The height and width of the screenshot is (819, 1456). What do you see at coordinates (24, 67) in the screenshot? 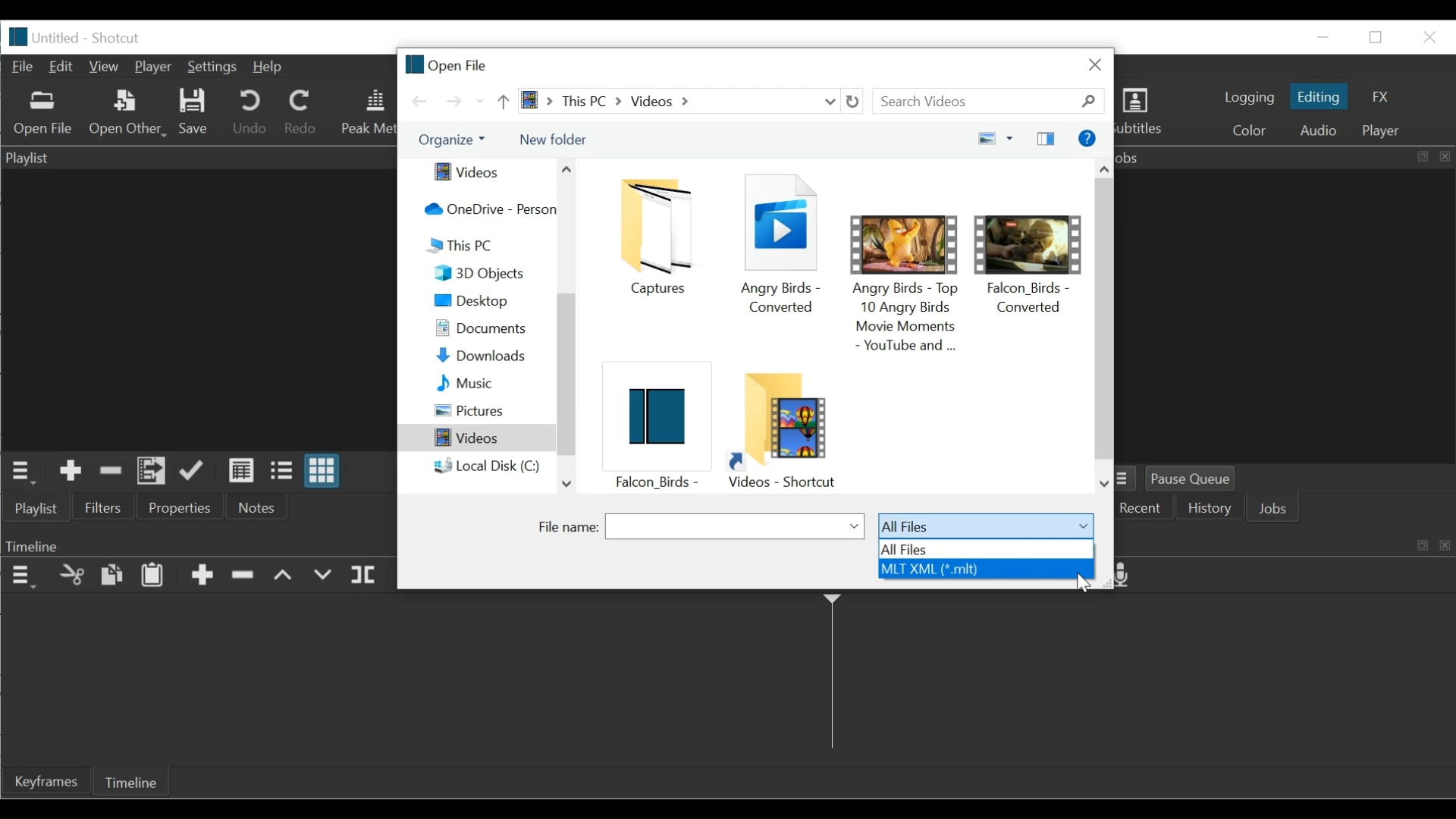
I see `File` at bounding box center [24, 67].